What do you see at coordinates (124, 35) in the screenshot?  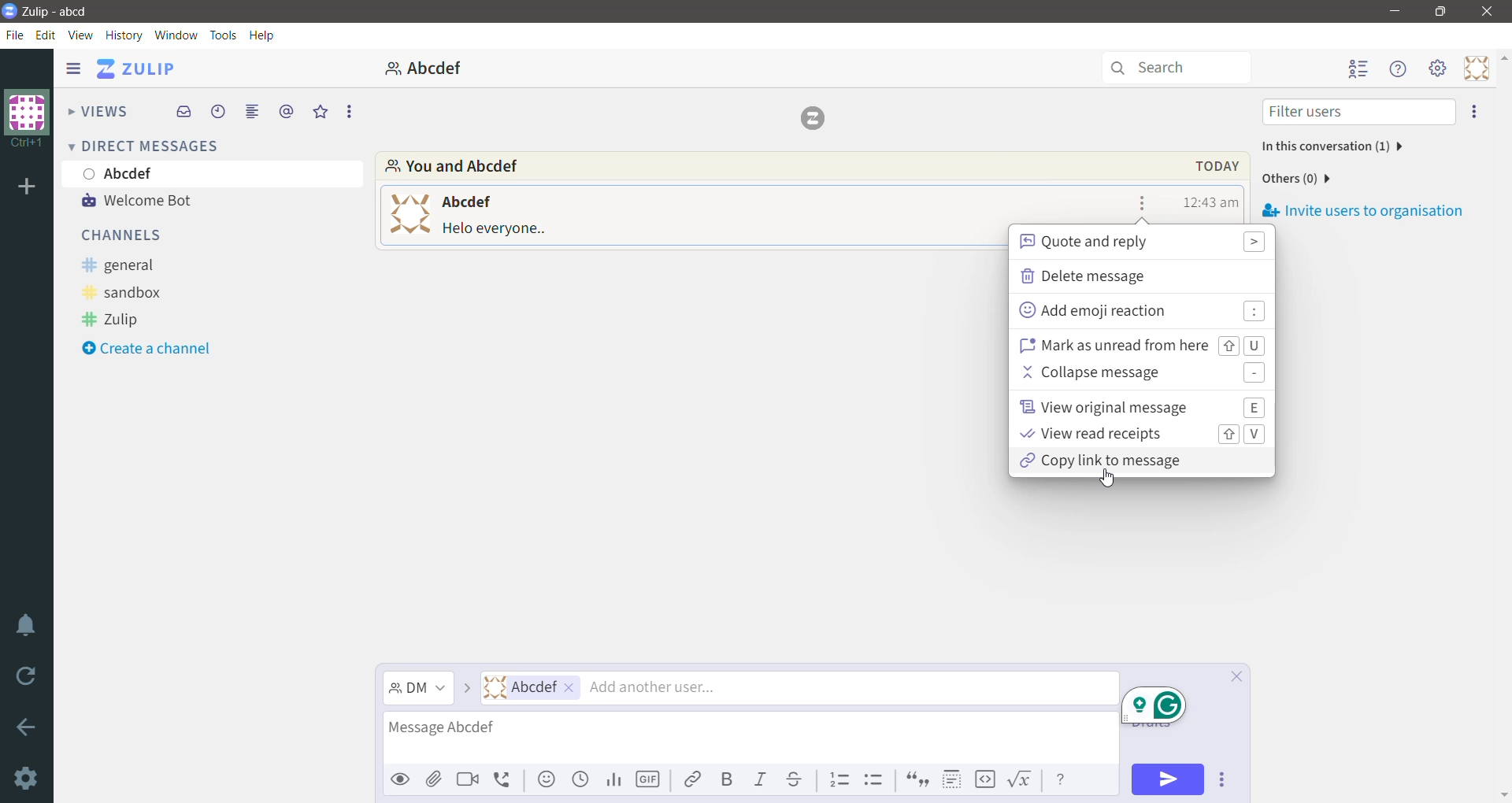 I see `History` at bounding box center [124, 35].